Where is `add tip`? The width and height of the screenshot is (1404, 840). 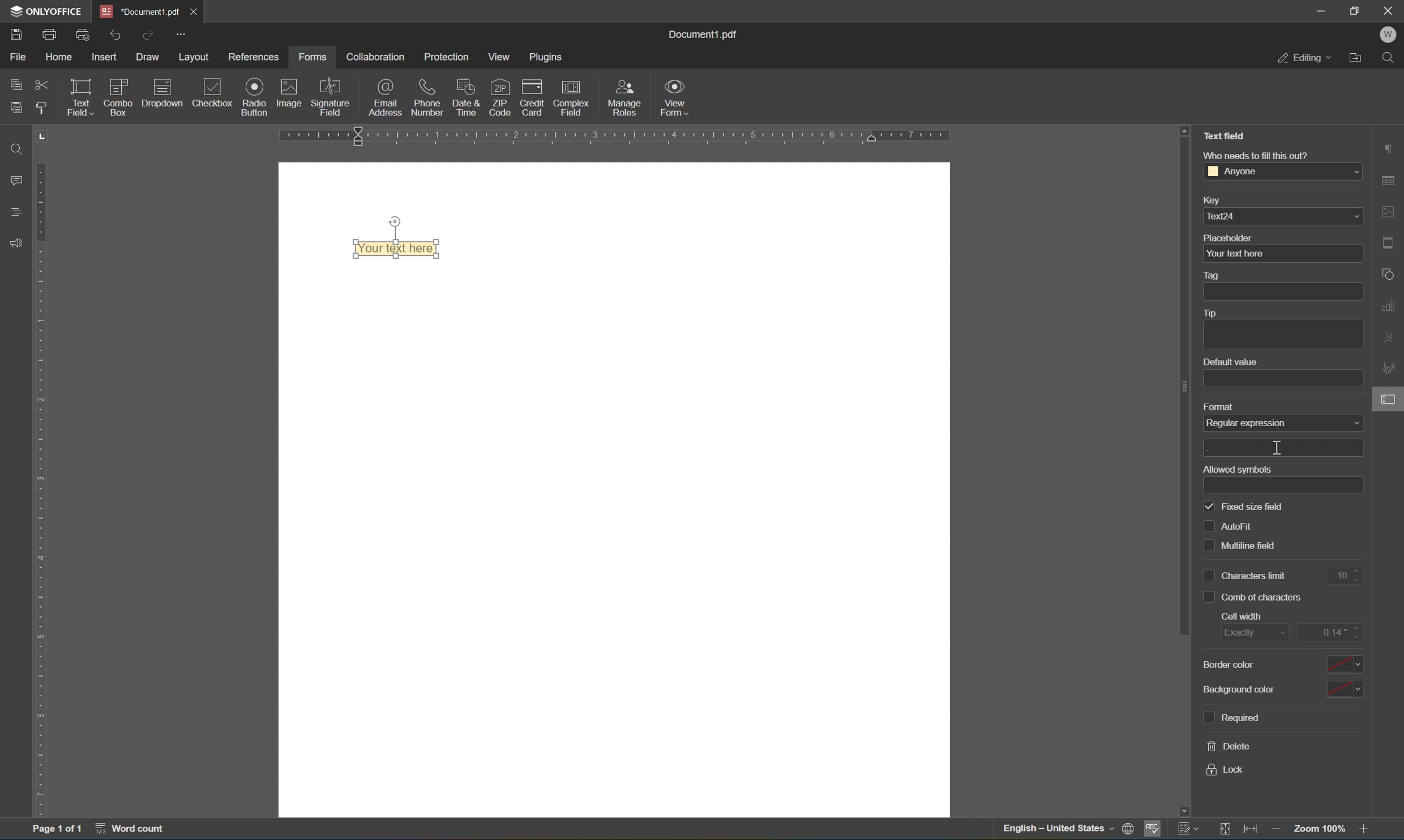 add tip is located at coordinates (1282, 336).